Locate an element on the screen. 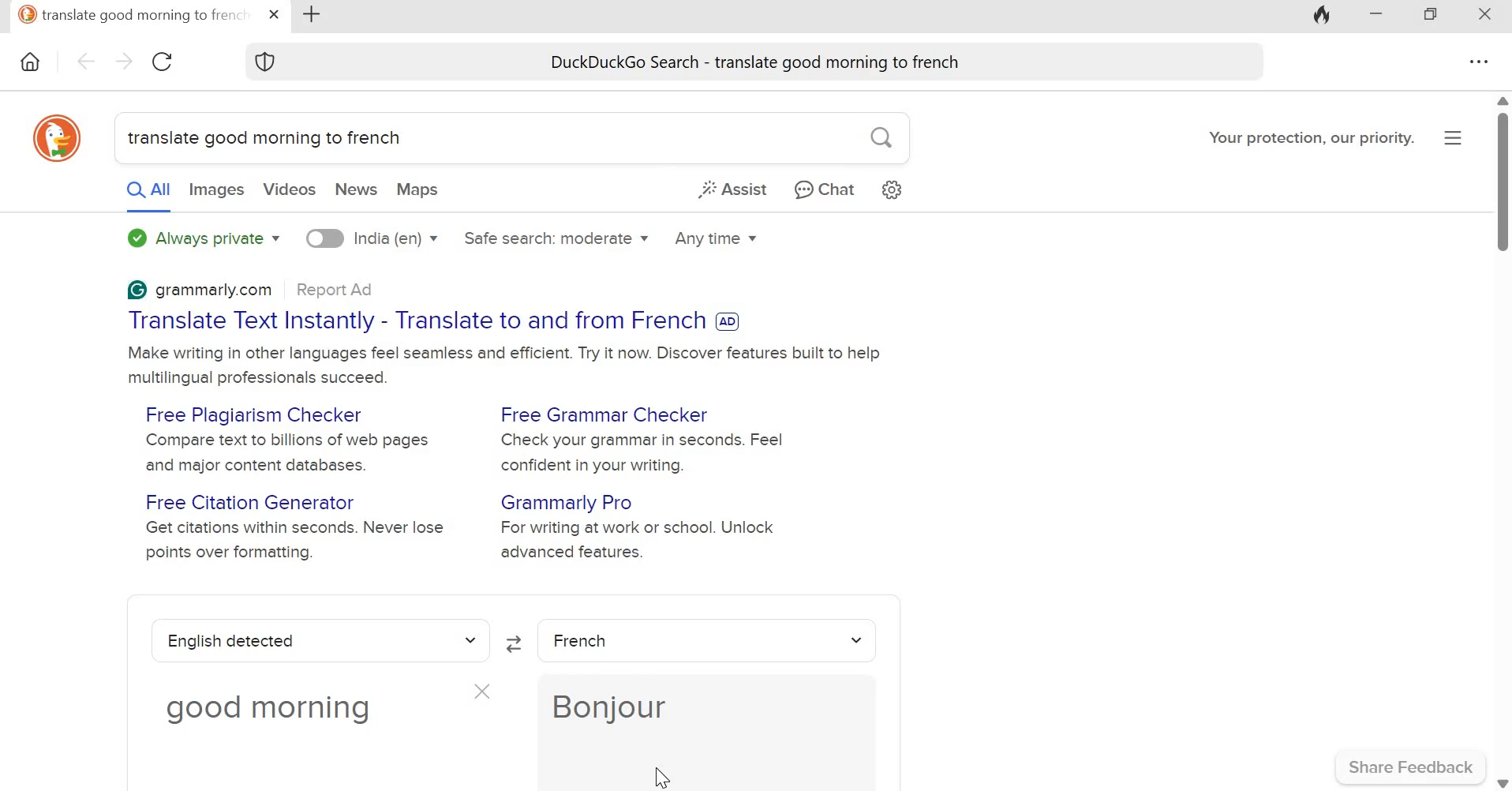  Share Feedback is located at coordinates (1409, 767).